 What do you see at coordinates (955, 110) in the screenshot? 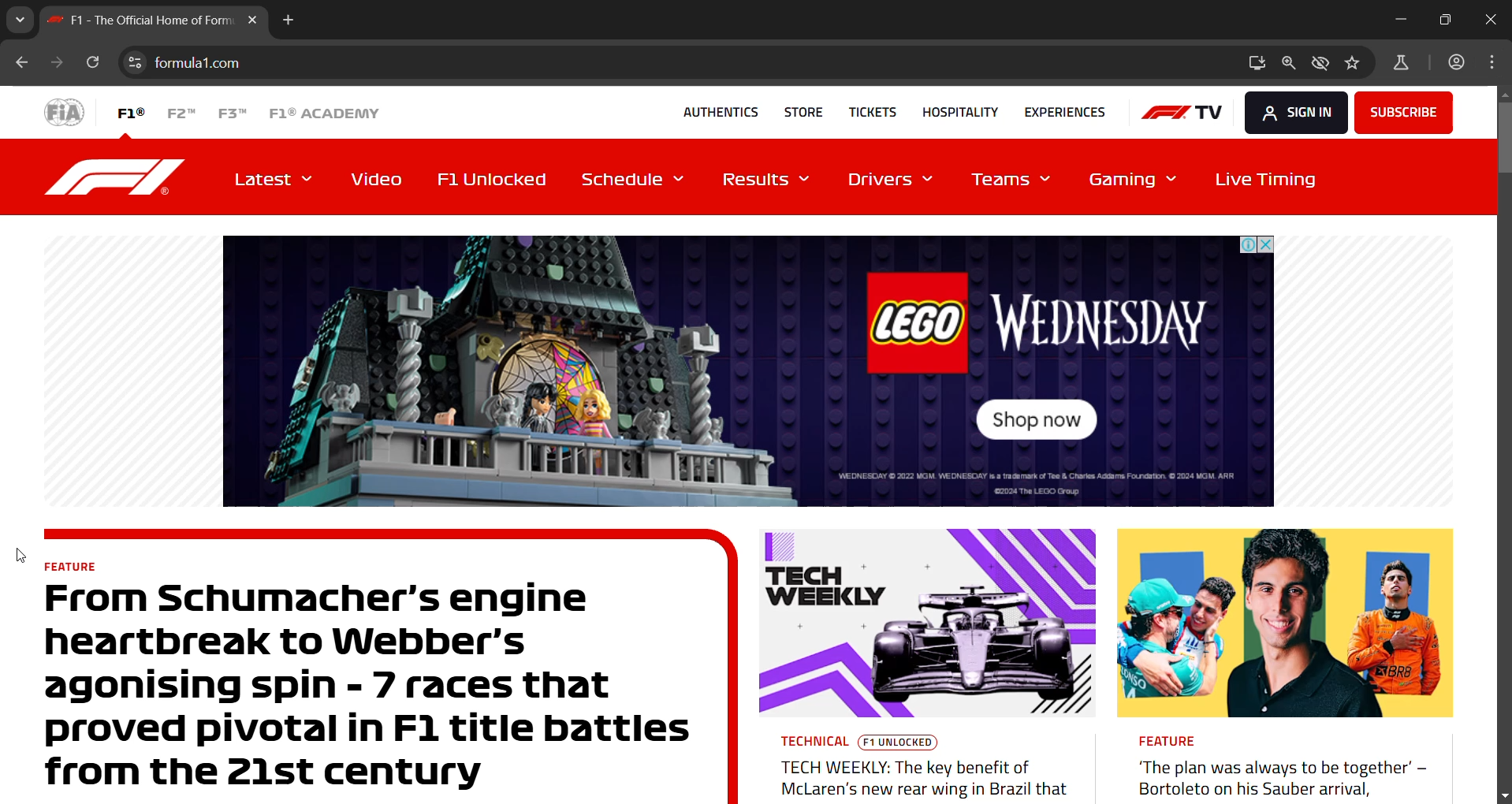
I see `HOSPITALITY` at bounding box center [955, 110].